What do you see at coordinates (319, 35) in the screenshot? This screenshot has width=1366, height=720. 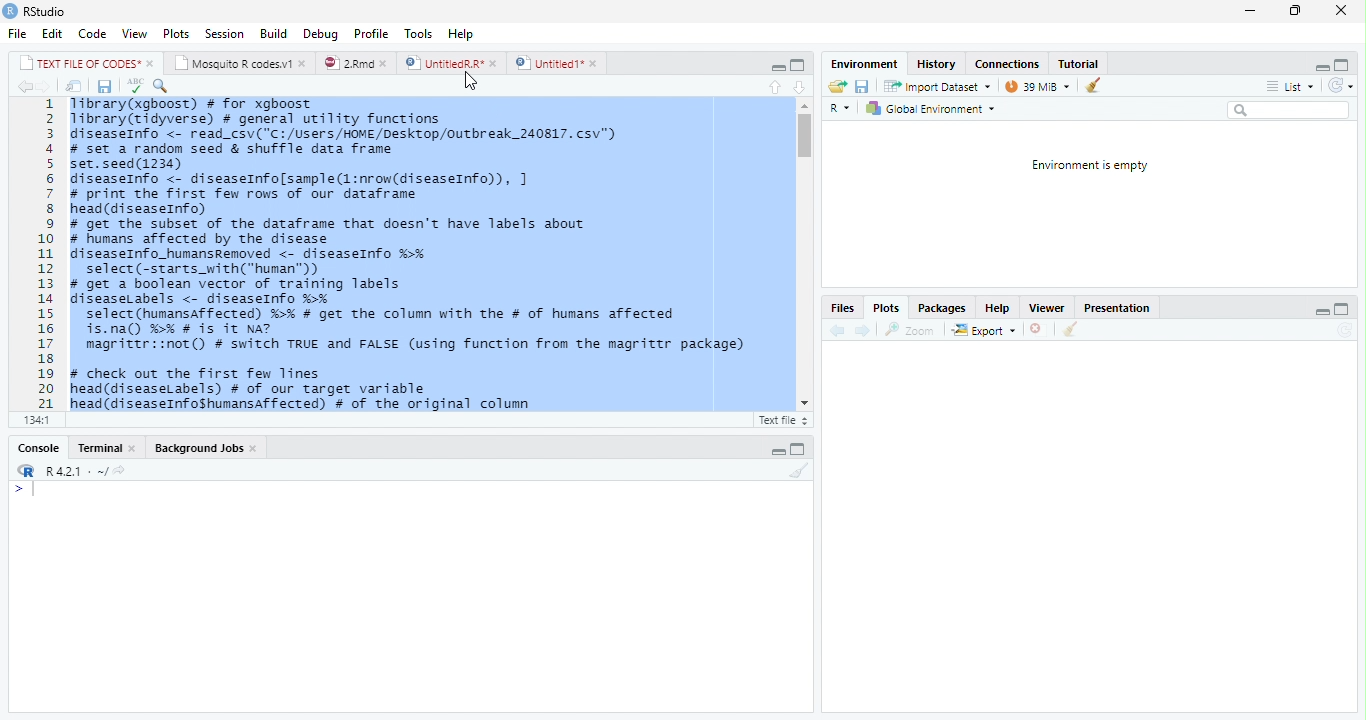 I see `Debug` at bounding box center [319, 35].